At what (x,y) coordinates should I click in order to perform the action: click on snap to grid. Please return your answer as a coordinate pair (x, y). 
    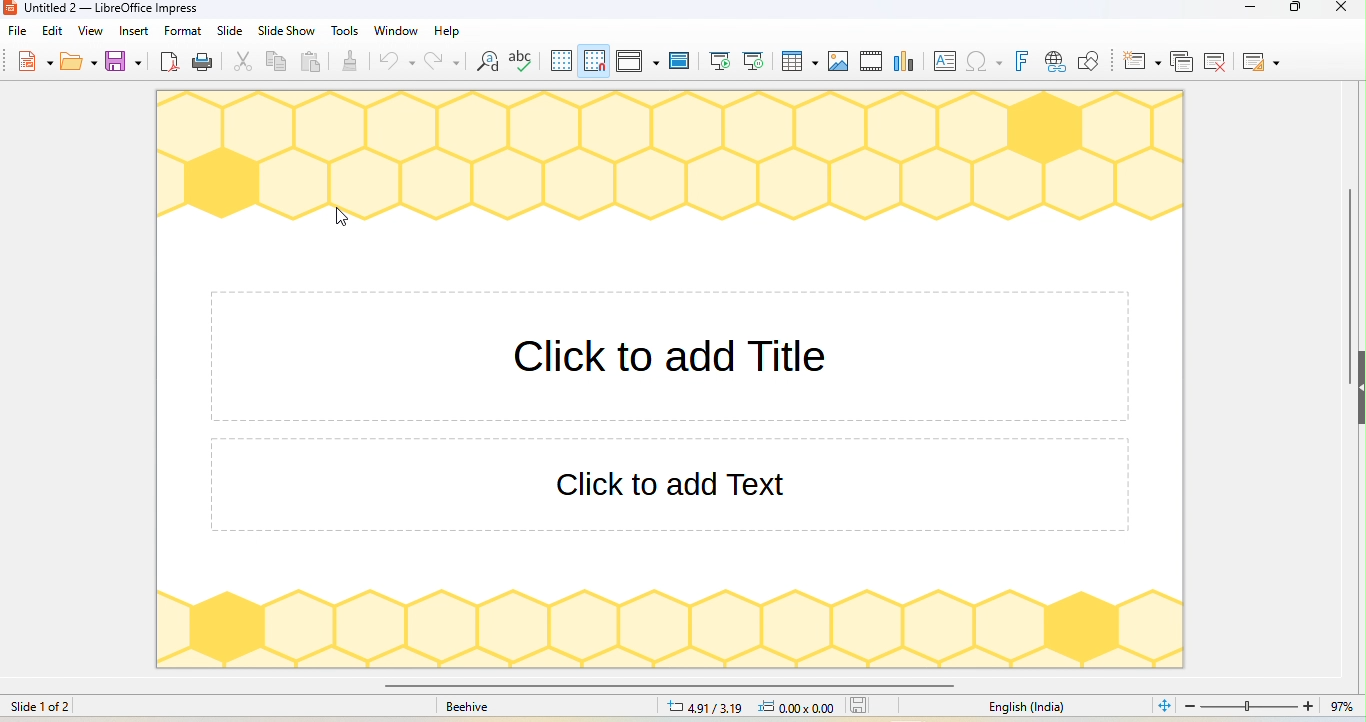
    Looking at the image, I should click on (595, 61).